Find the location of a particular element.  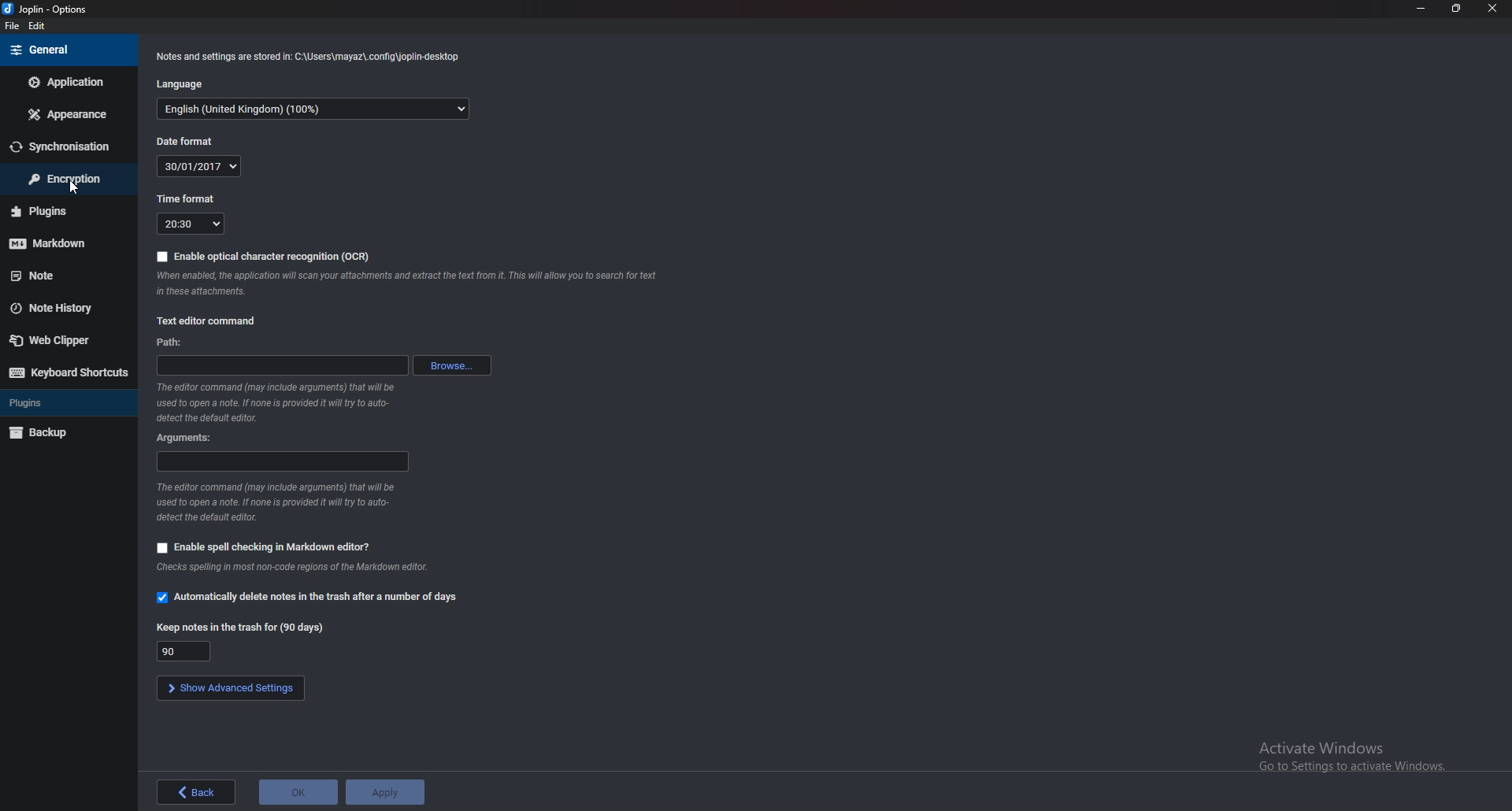

plugins is located at coordinates (65, 402).